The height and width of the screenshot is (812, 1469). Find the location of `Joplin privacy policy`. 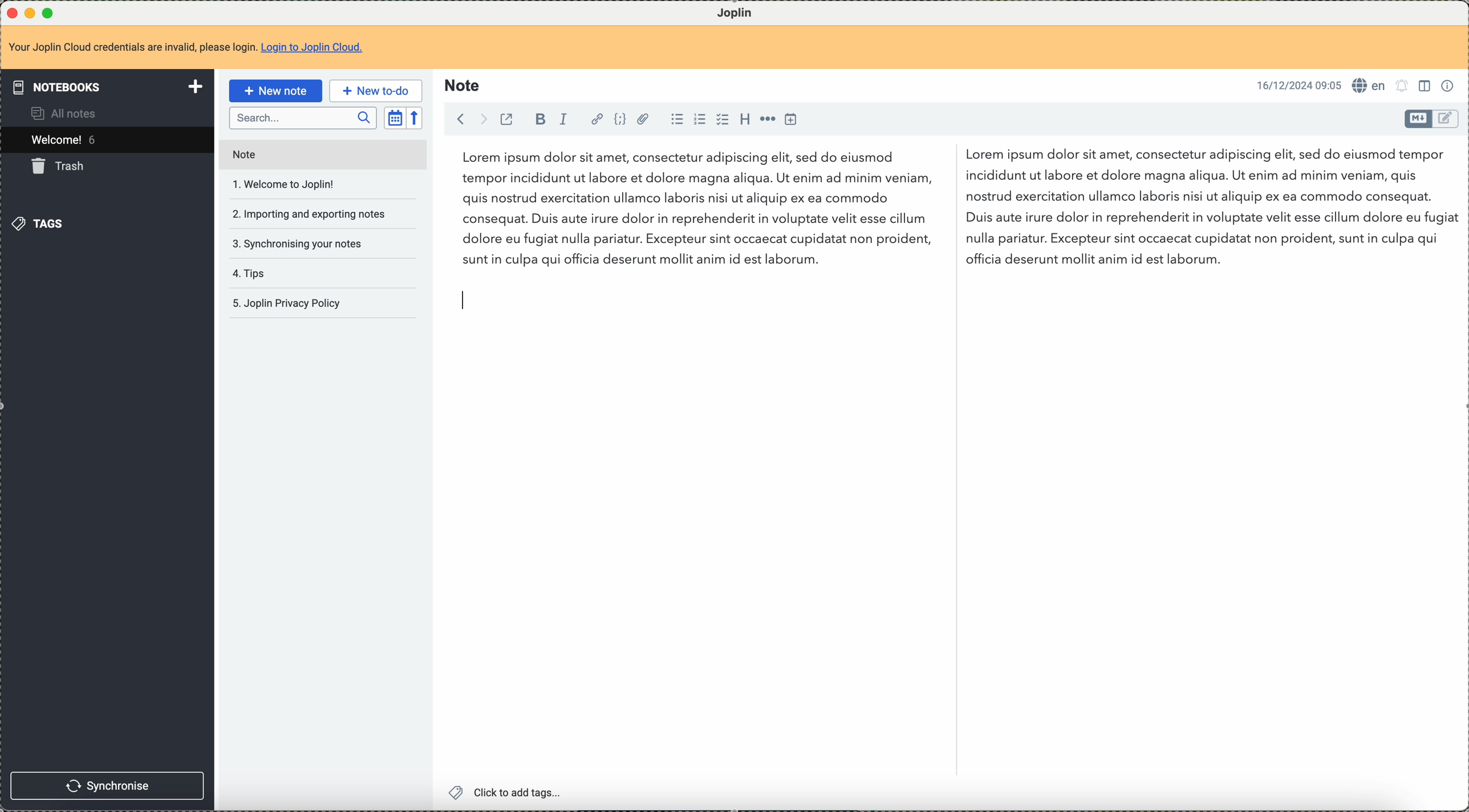

Joplin privacy policy is located at coordinates (288, 302).